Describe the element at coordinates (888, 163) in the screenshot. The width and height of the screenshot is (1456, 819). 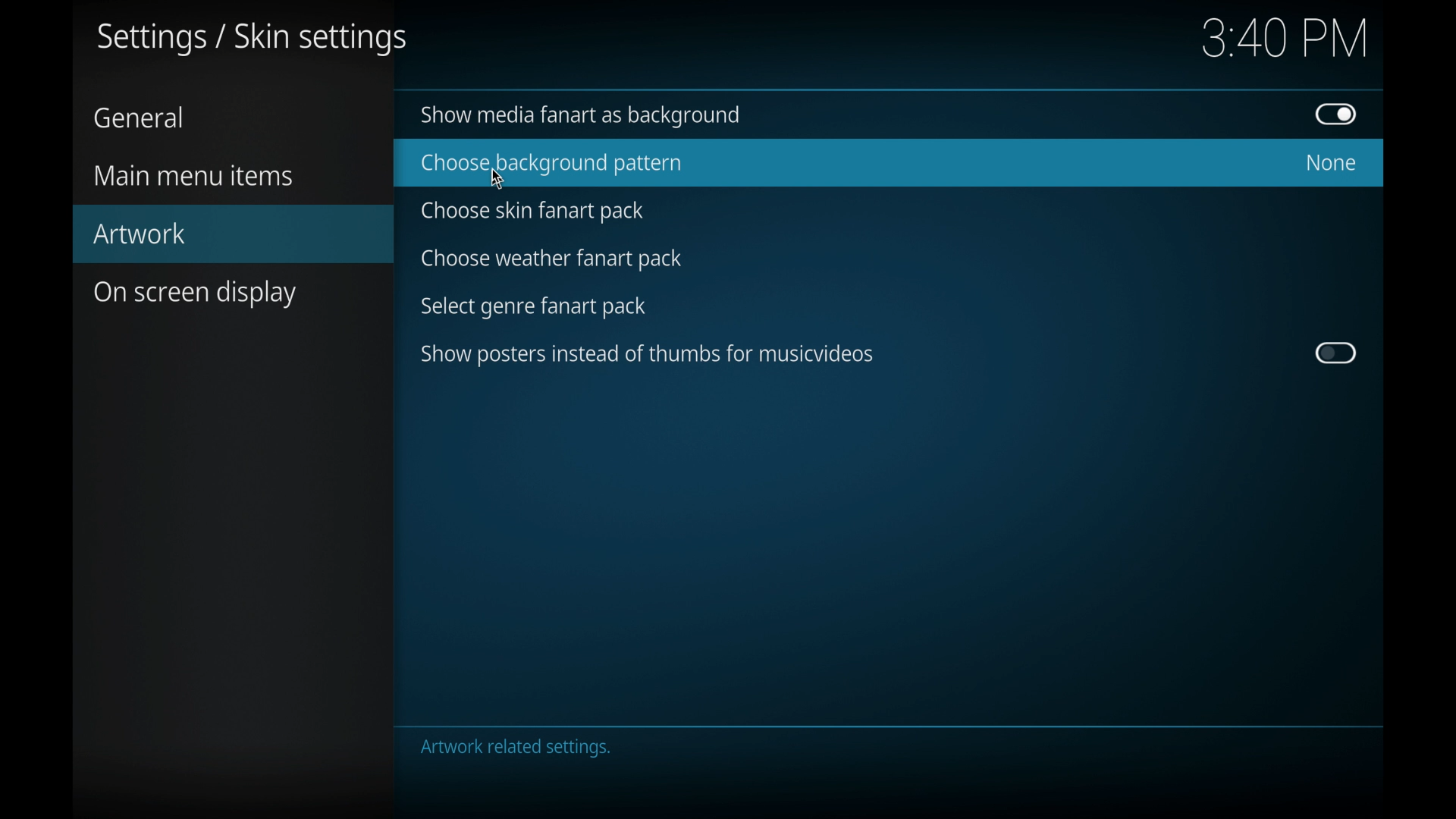
I see `choose background pattern highlighted` at that location.